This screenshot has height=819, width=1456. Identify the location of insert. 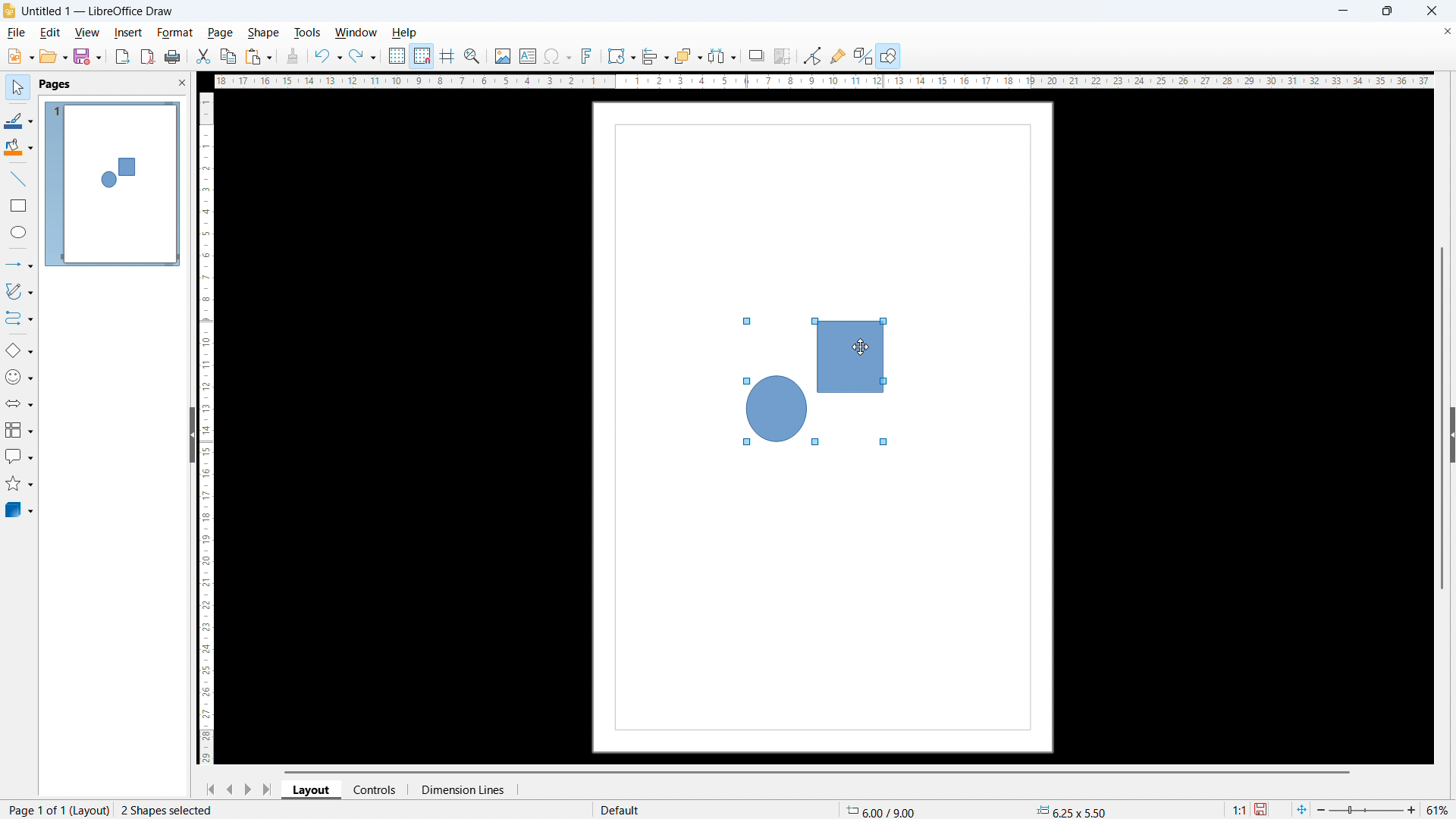
(128, 33).